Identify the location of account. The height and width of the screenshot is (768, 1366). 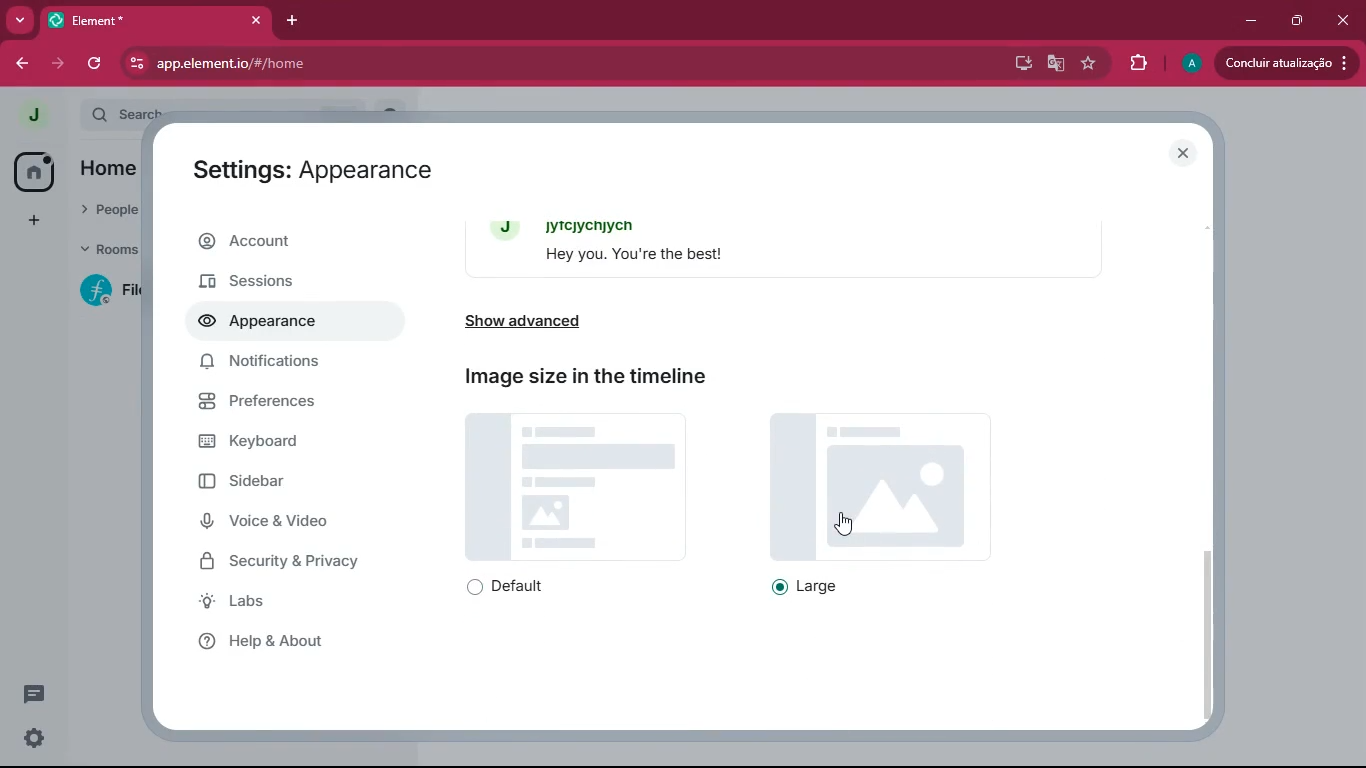
(289, 242).